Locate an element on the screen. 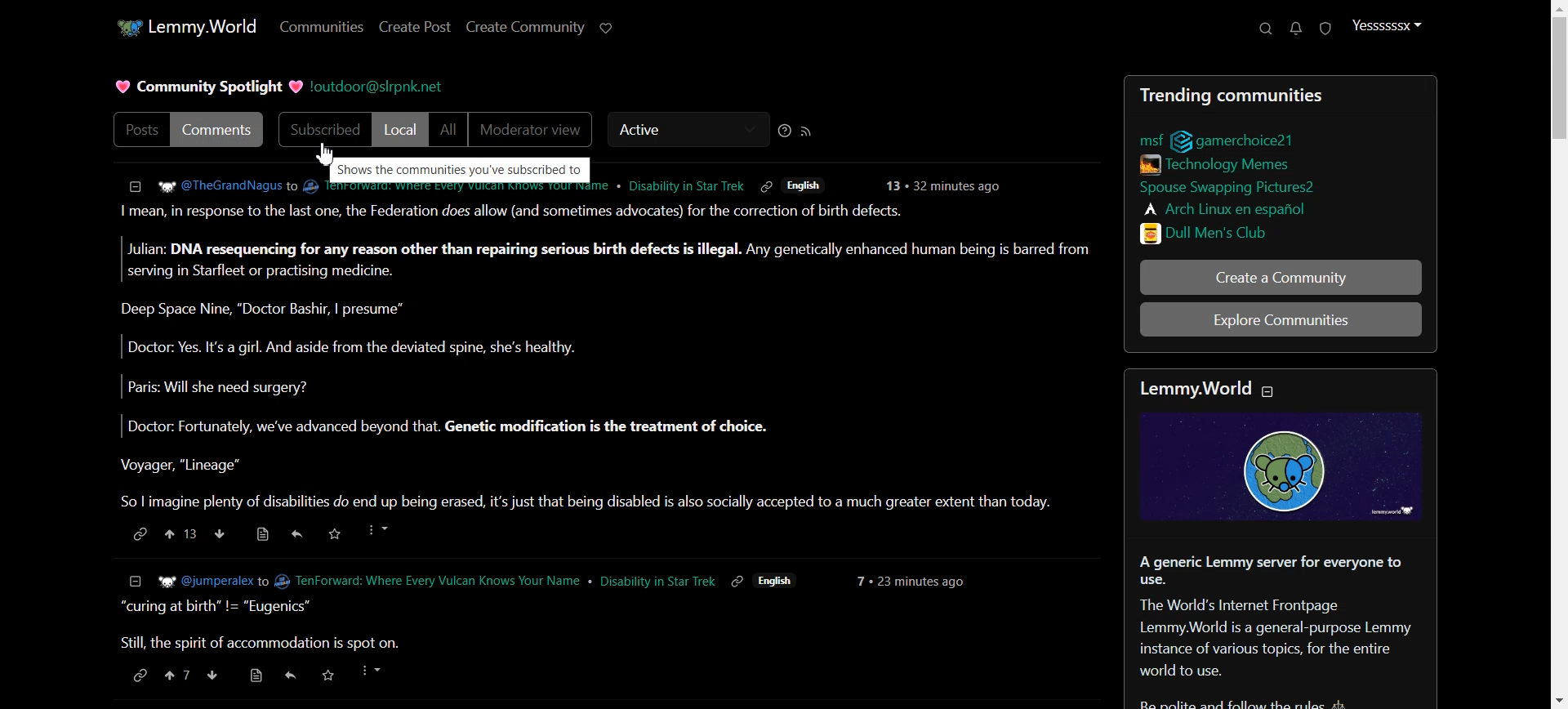  Unread Report is located at coordinates (1326, 29).